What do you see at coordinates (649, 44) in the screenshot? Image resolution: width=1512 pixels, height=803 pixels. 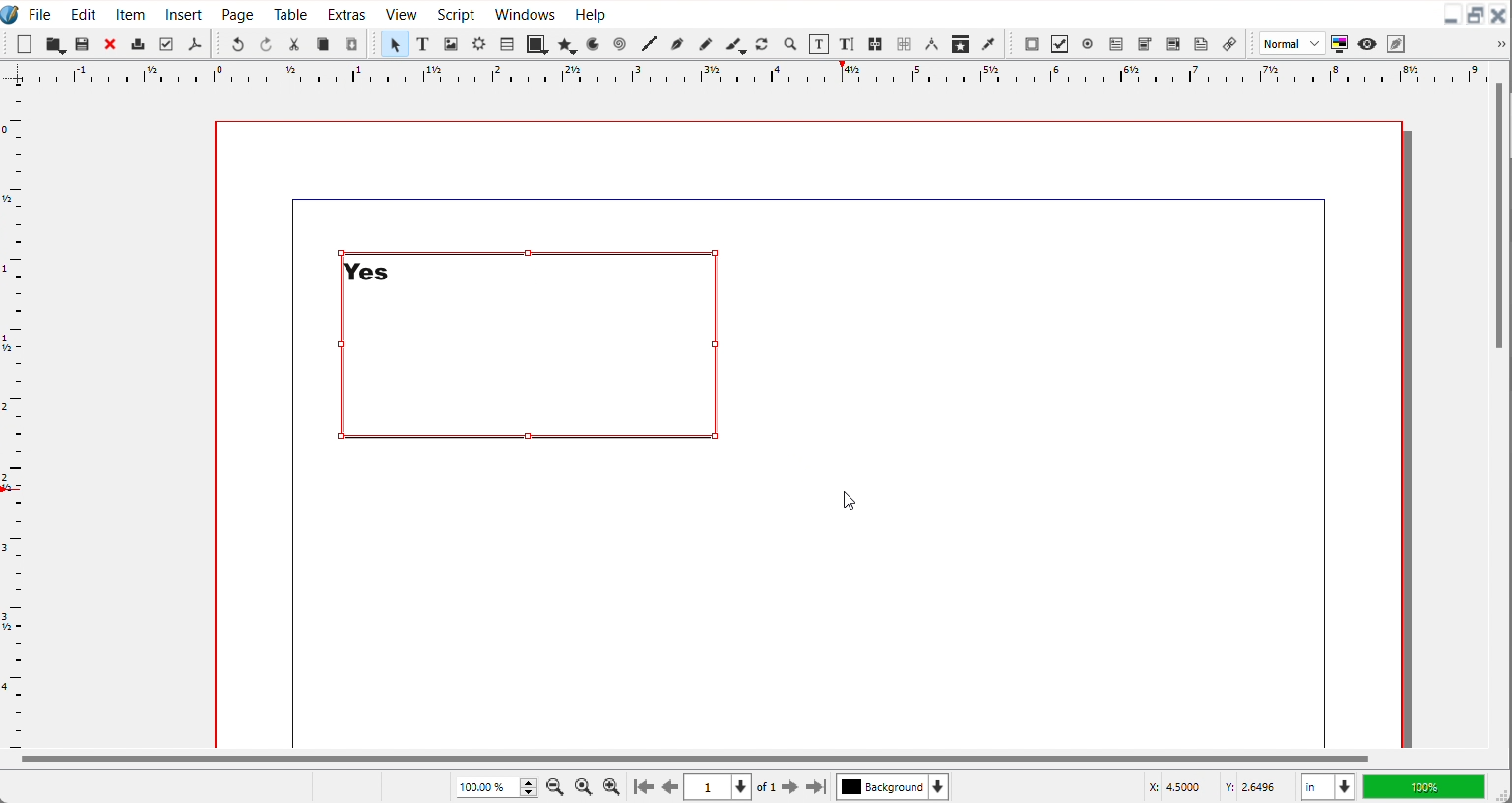 I see `Line` at bounding box center [649, 44].